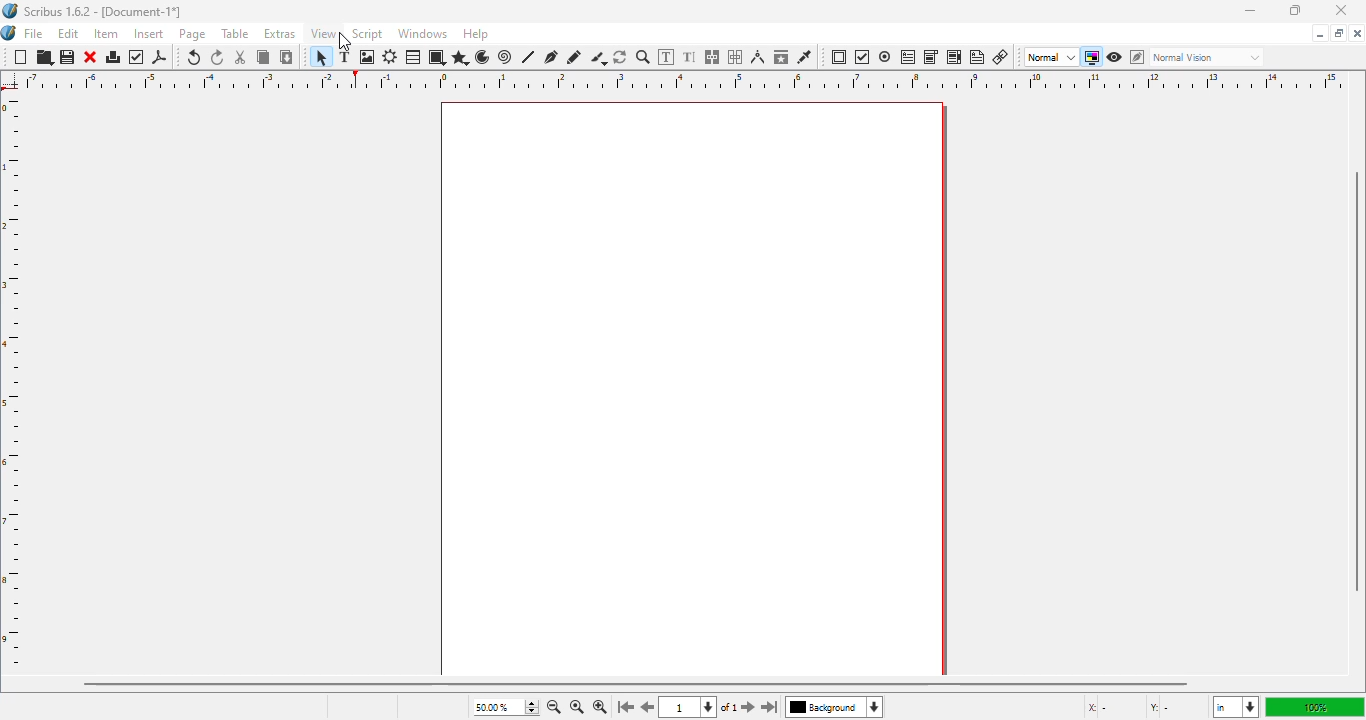  Describe the element at coordinates (320, 56) in the screenshot. I see `select item` at that location.